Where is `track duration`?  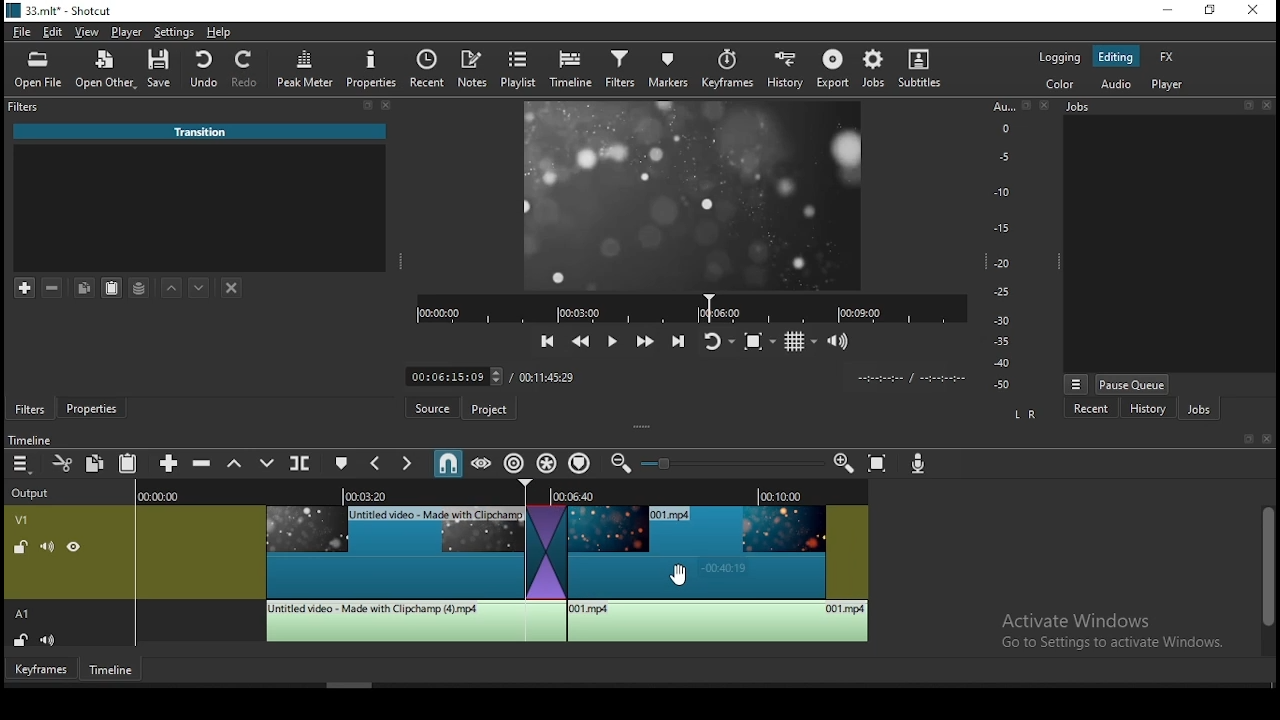 track duration is located at coordinates (546, 376).